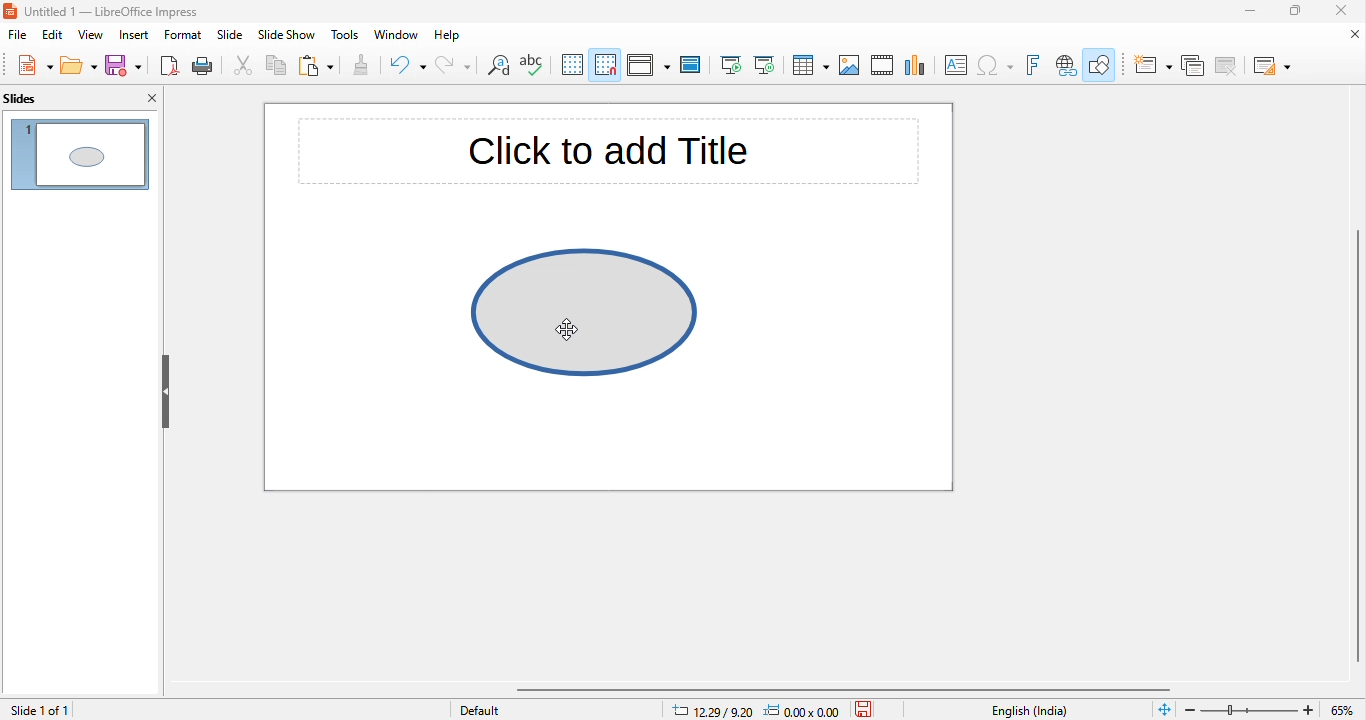 The height and width of the screenshot is (720, 1366). I want to click on edit, so click(54, 36).